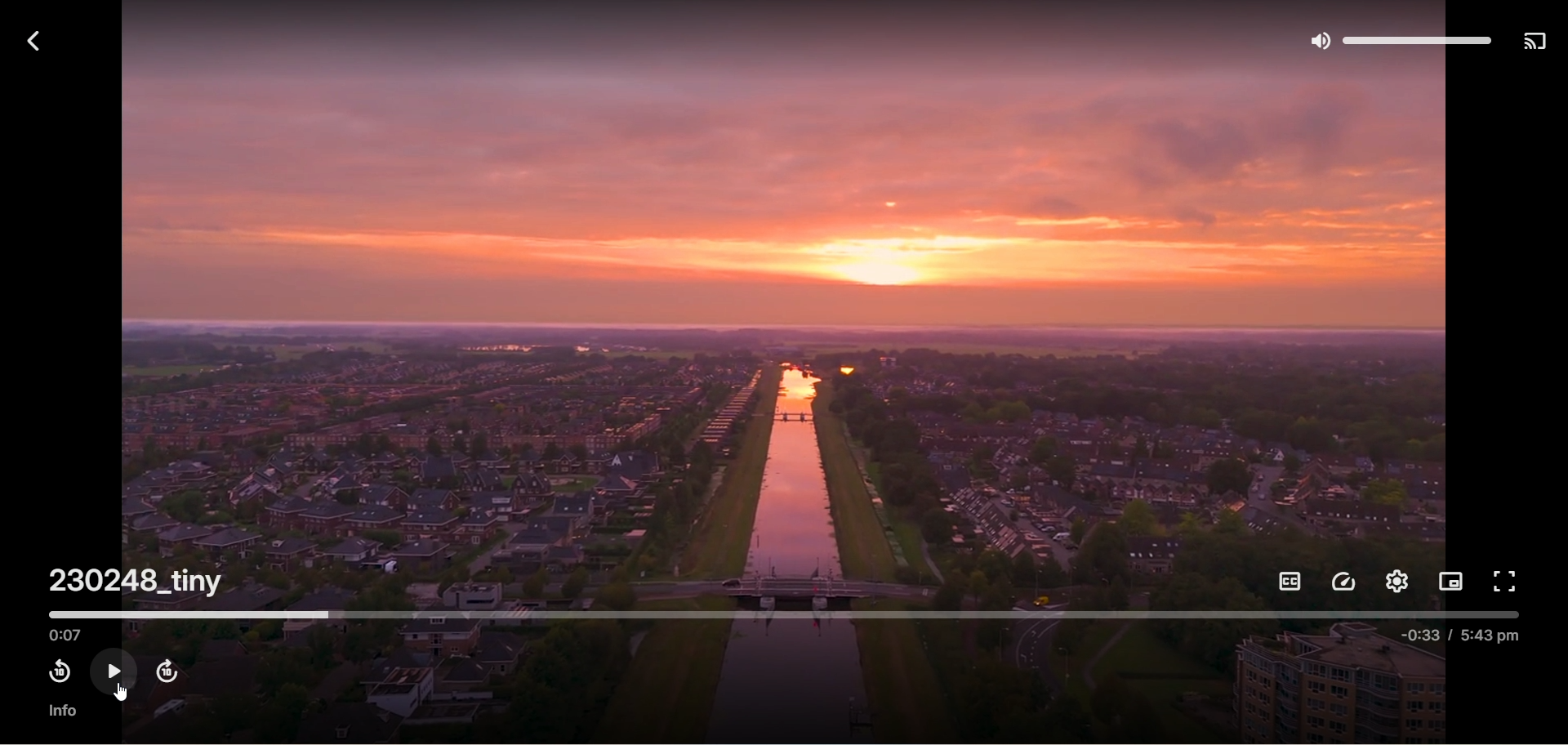 This screenshot has width=1568, height=745. What do you see at coordinates (65, 636) in the screenshot?
I see `played time 0:07` at bounding box center [65, 636].